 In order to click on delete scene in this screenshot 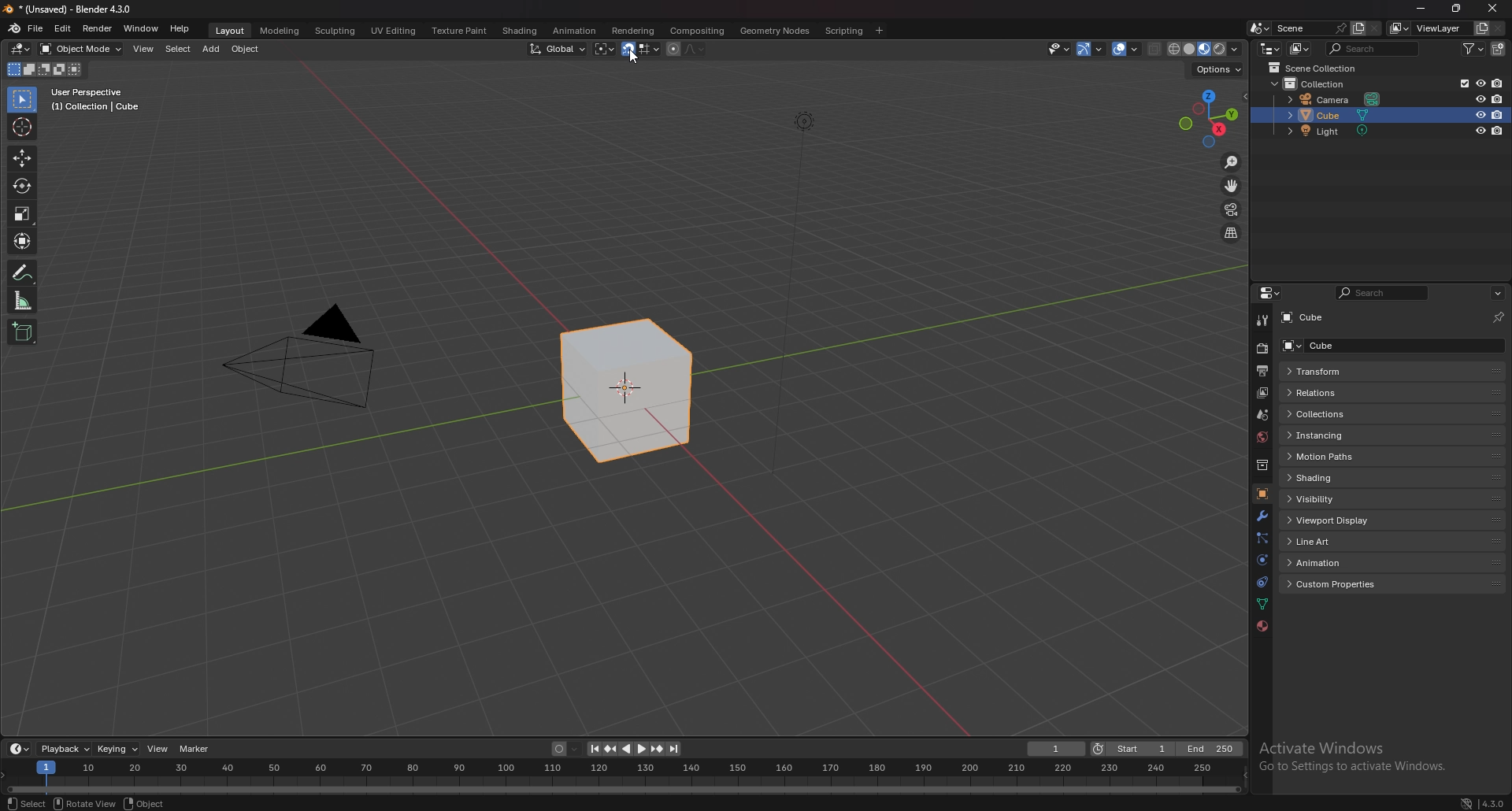, I will do `click(1373, 29)`.